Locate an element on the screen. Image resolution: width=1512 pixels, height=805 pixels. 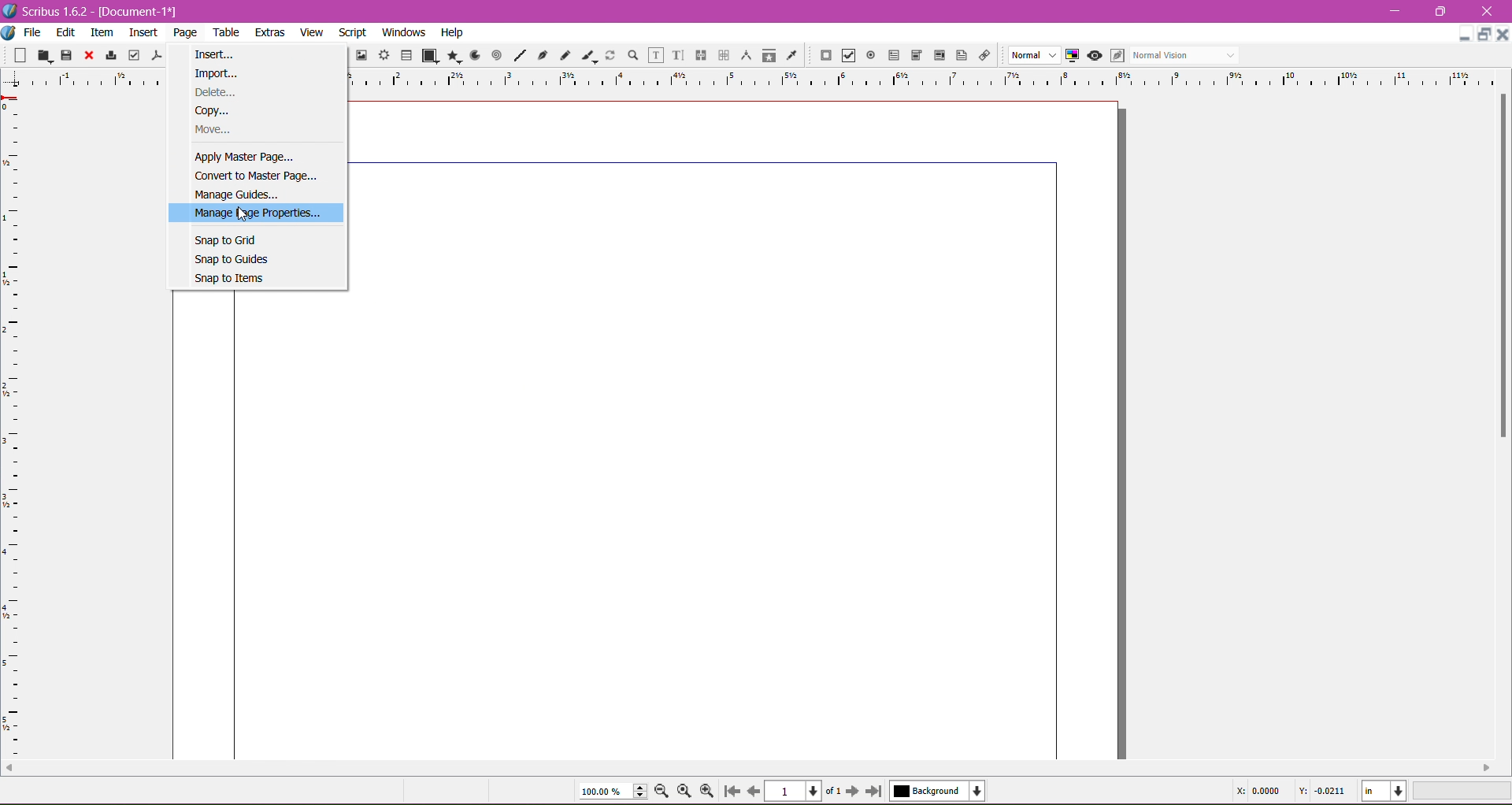
Cursor is located at coordinates (247, 217).